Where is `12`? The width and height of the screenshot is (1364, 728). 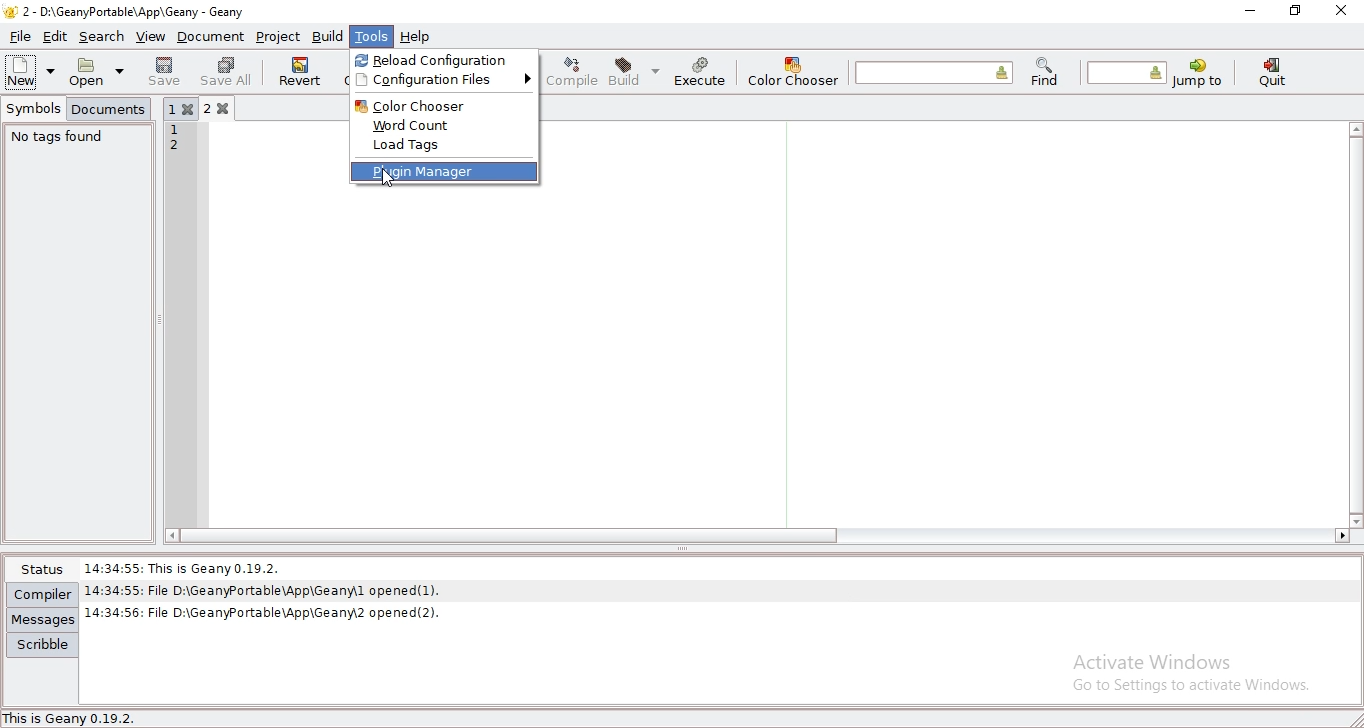
12 is located at coordinates (176, 142).